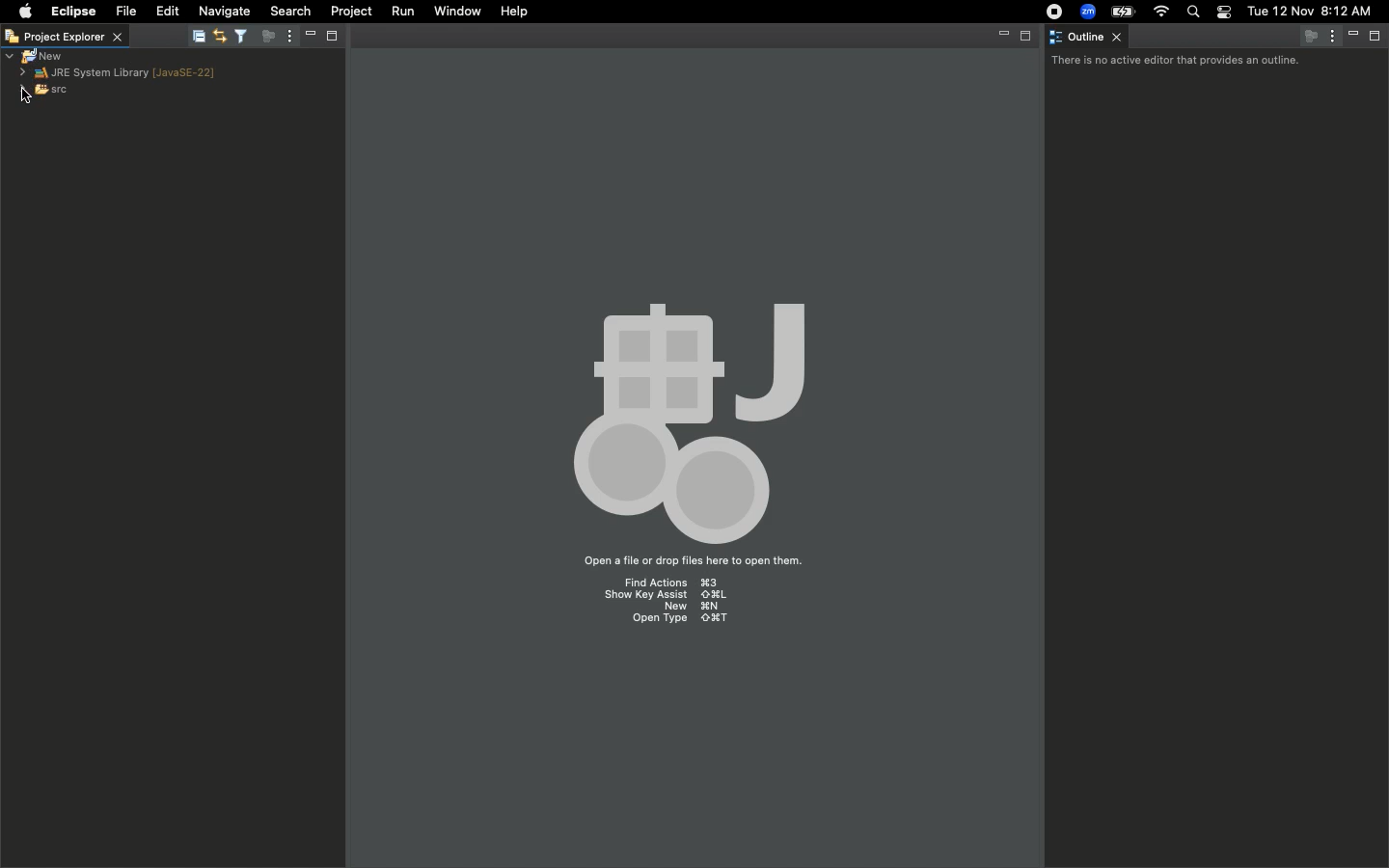 The width and height of the screenshot is (1389, 868). I want to click on Filter, so click(239, 36).